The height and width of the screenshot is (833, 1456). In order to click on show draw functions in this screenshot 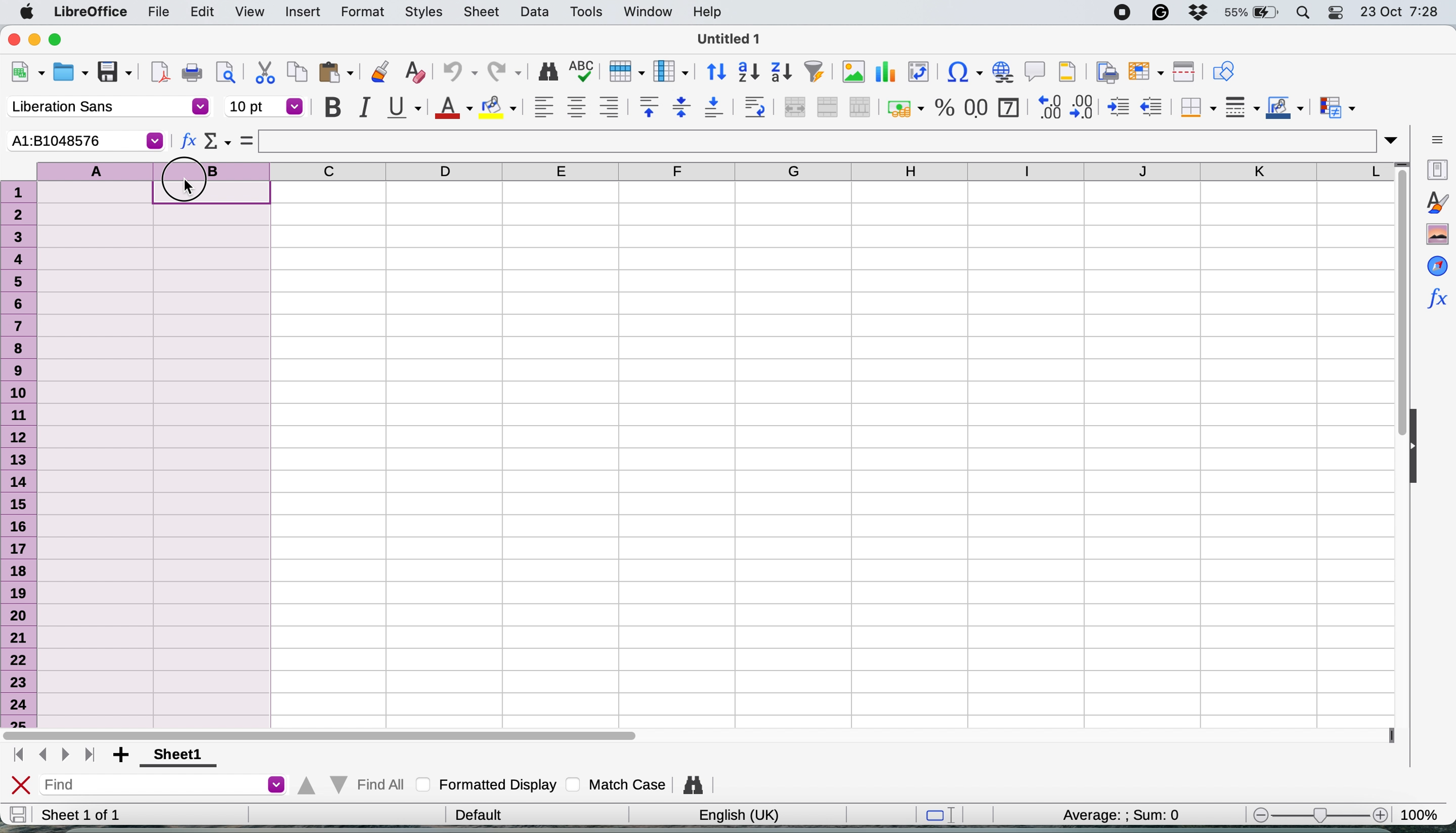, I will do `click(1223, 71)`.